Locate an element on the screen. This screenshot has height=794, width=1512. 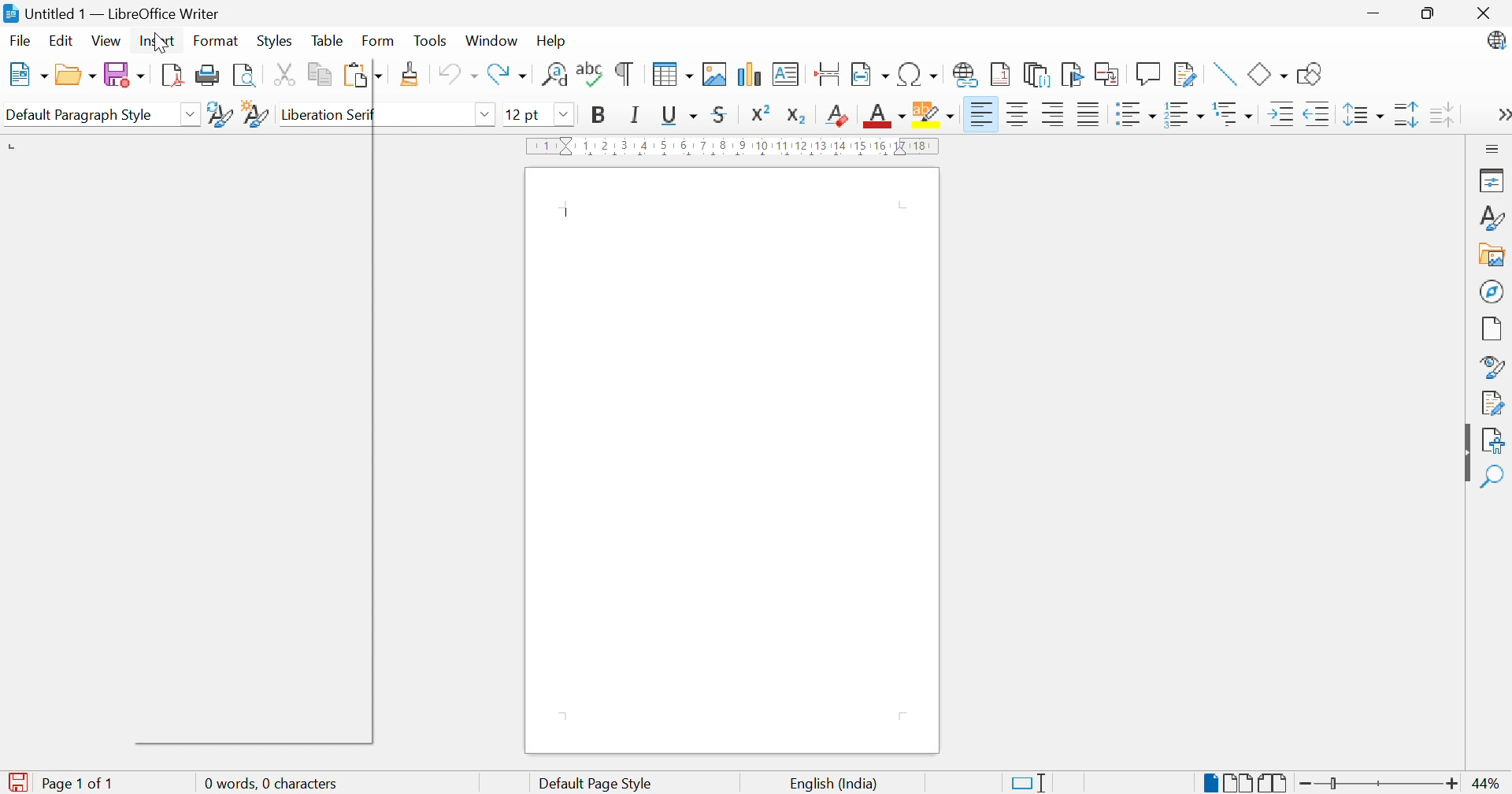
Basic shapes is located at coordinates (1267, 76).